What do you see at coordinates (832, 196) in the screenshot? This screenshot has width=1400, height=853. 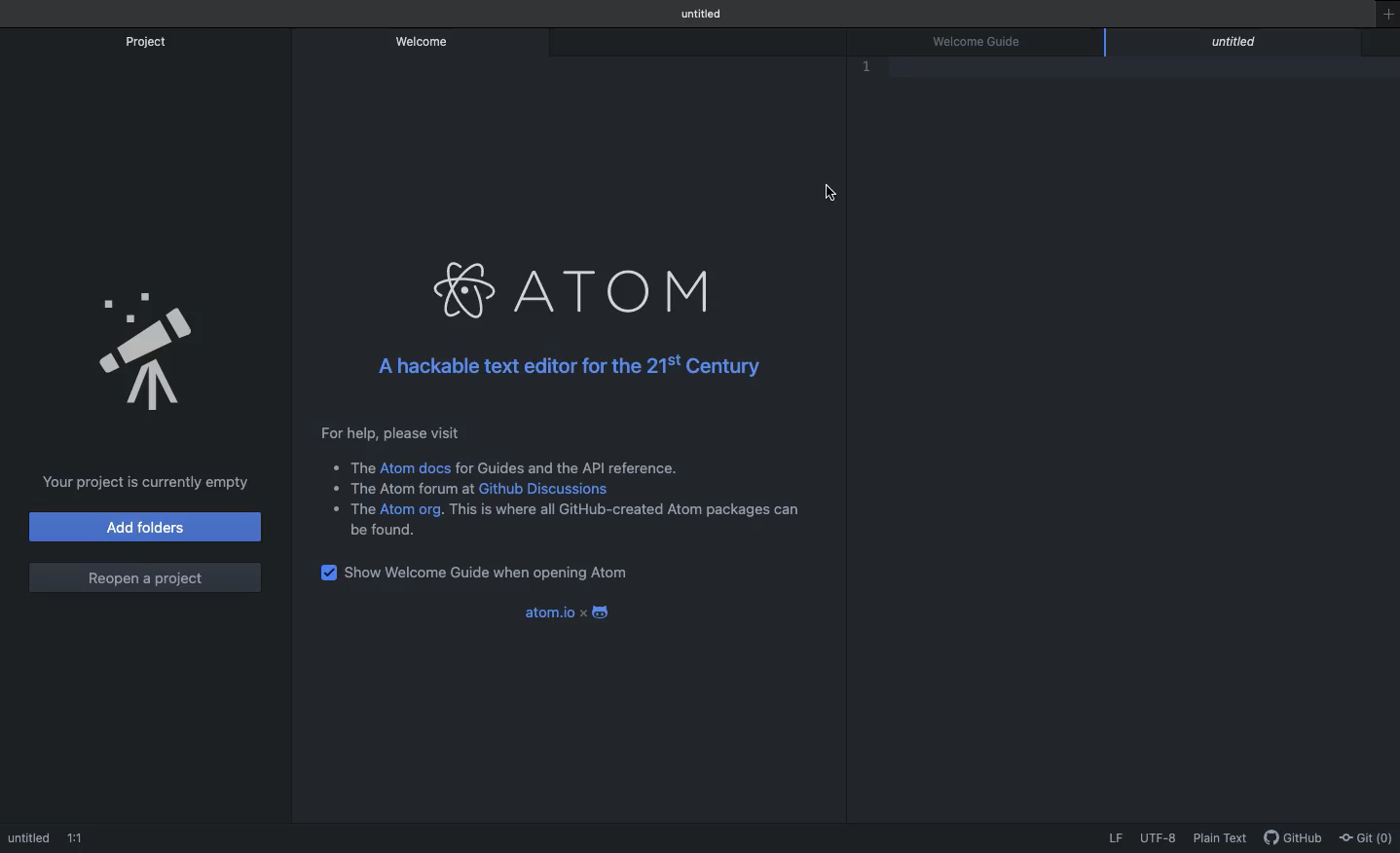 I see `crusor` at bounding box center [832, 196].